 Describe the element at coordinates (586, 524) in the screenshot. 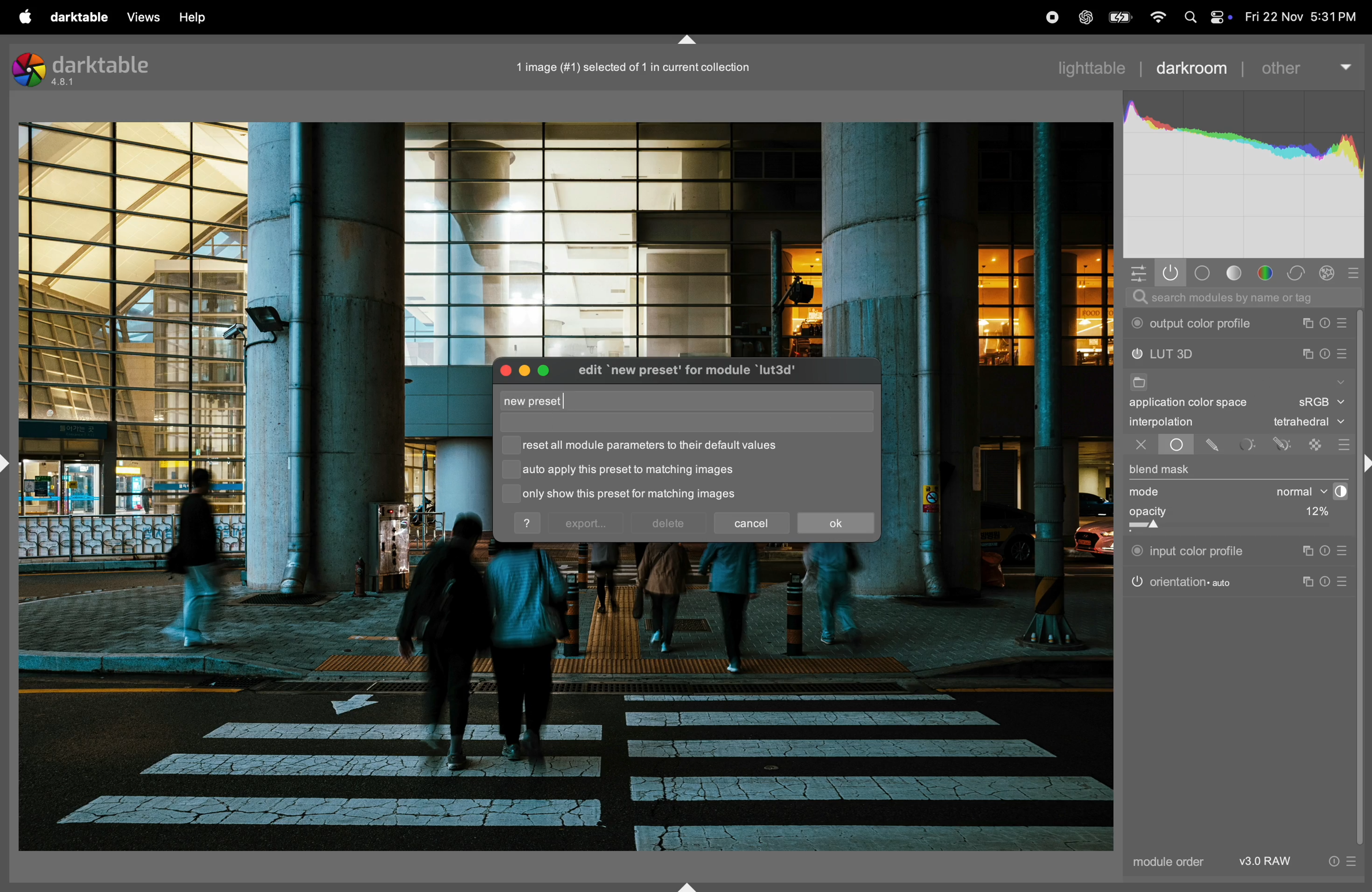

I see `export` at that location.